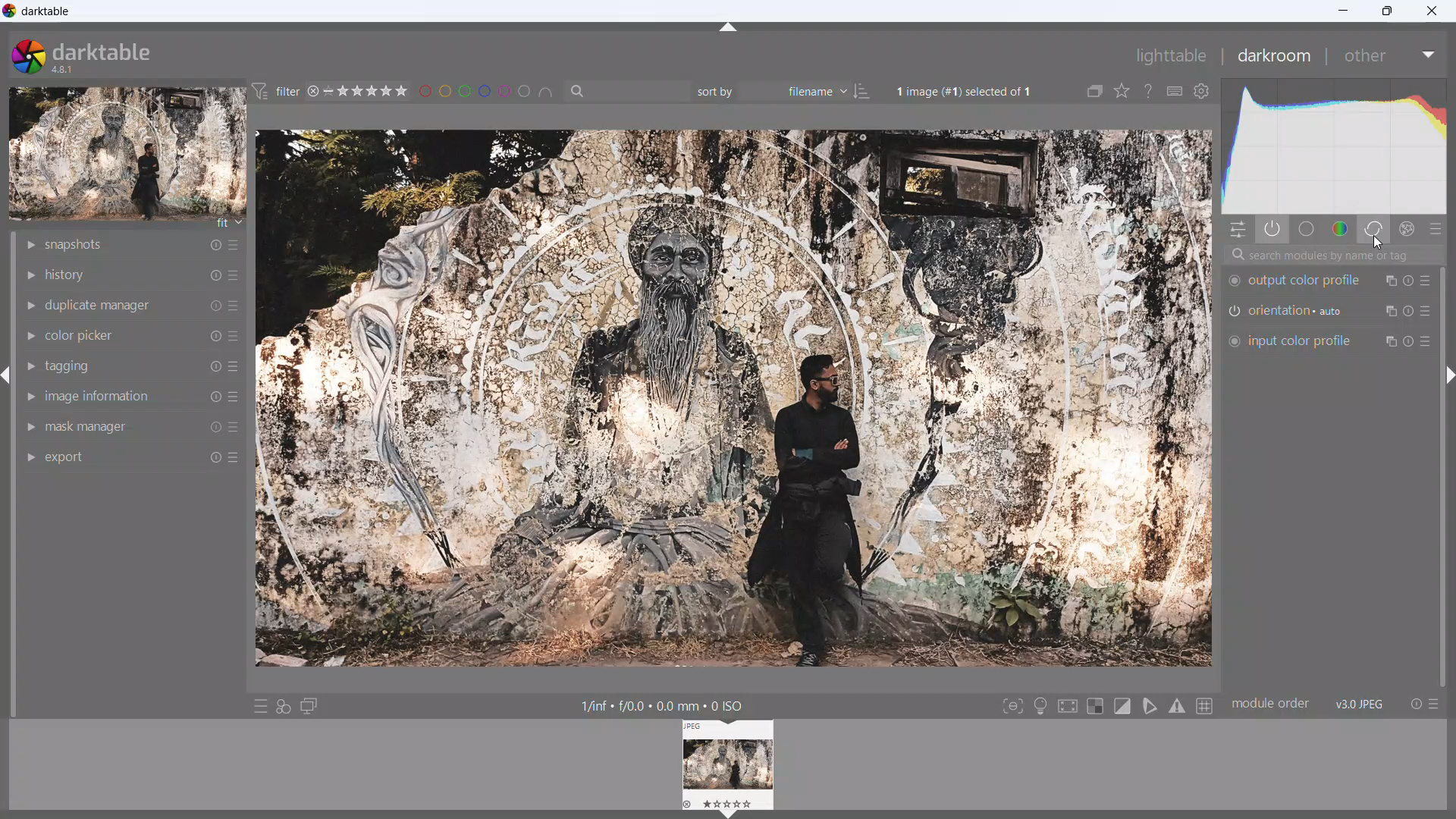 The width and height of the screenshot is (1456, 819). What do you see at coordinates (28, 246) in the screenshot?
I see `show module` at bounding box center [28, 246].